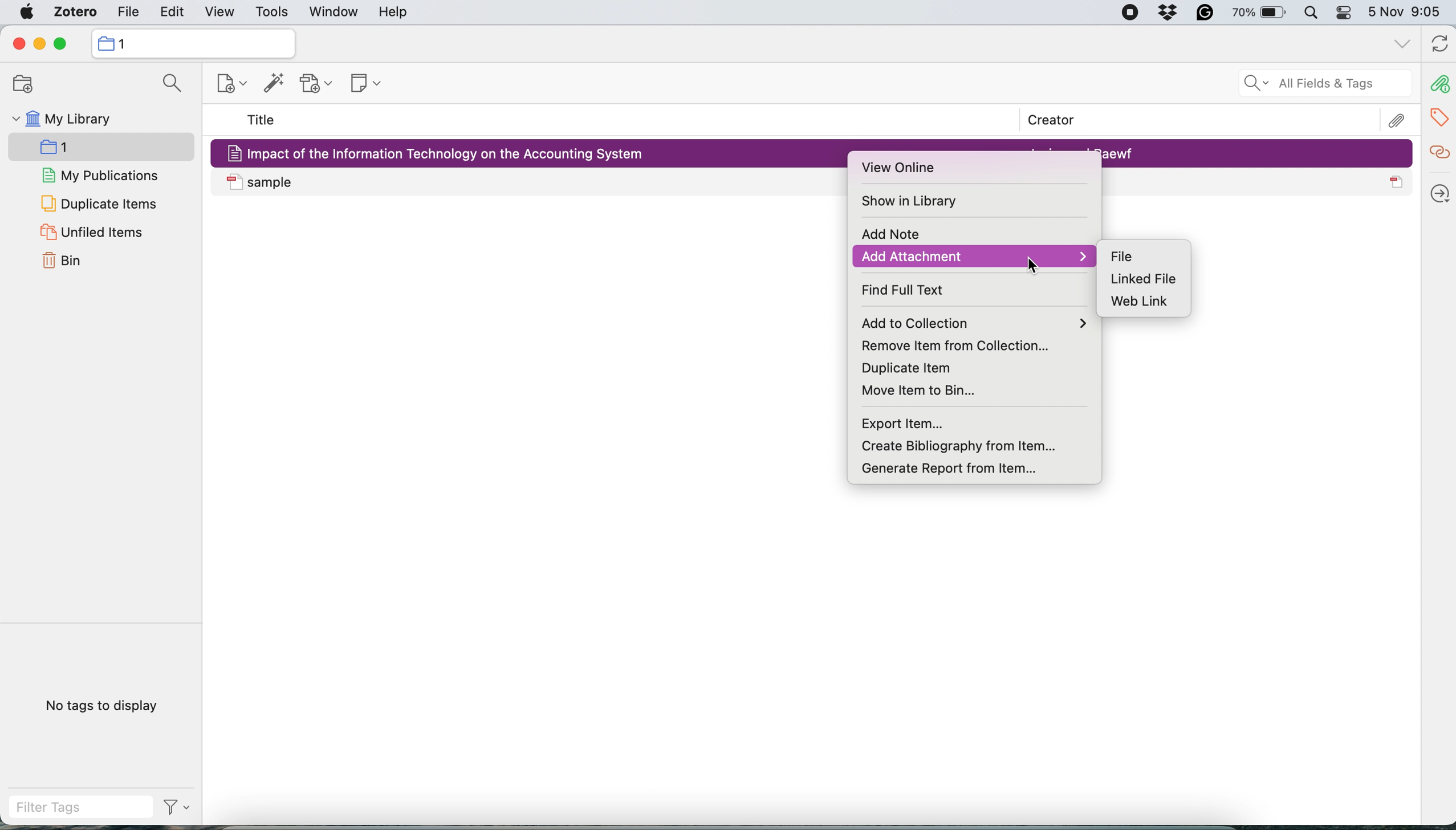 This screenshot has height=830, width=1456. Describe the element at coordinates (72, 149) in the screenshot. I see `1` at that location.